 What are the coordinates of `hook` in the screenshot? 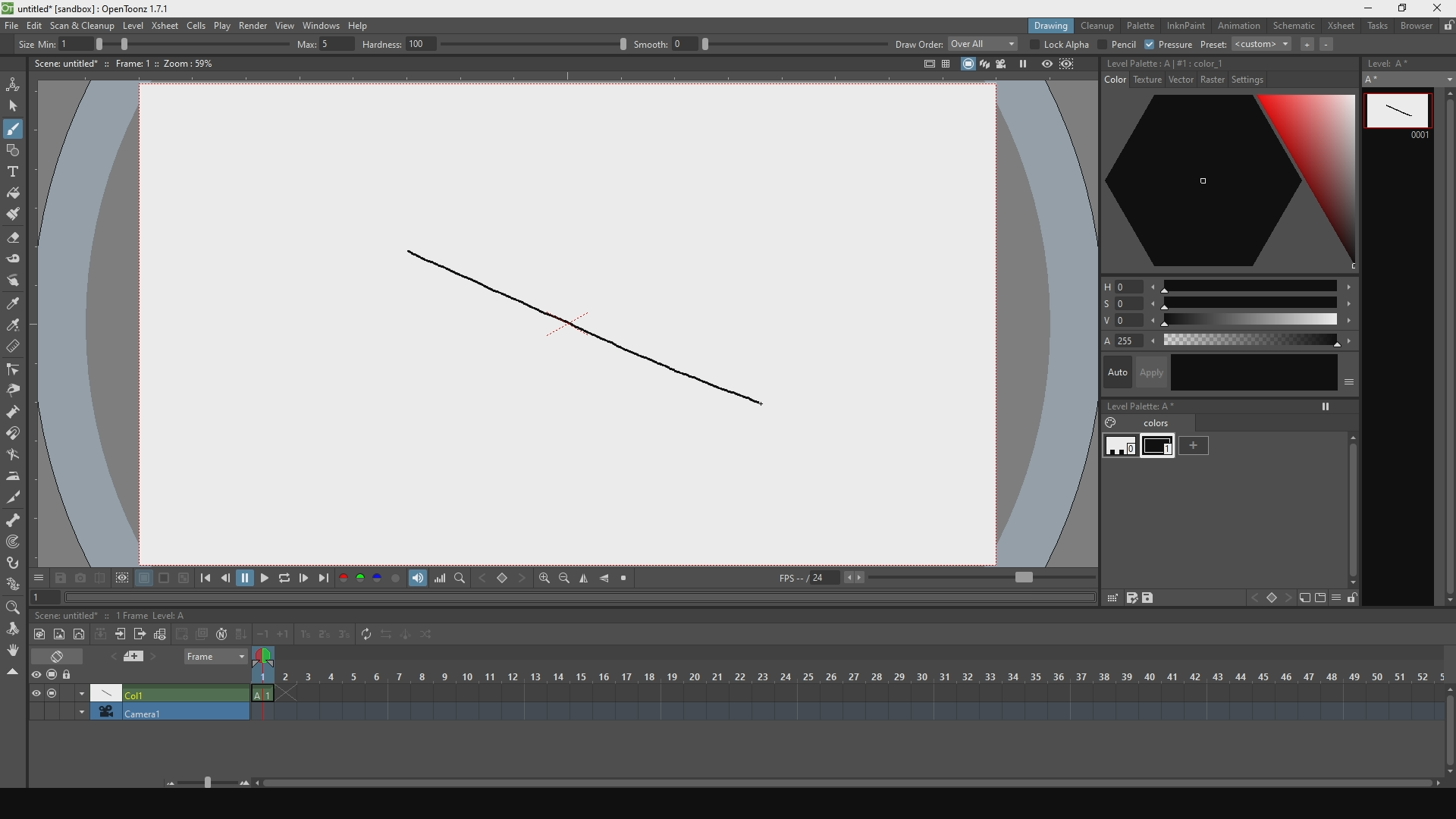 It's located at (14, 564).